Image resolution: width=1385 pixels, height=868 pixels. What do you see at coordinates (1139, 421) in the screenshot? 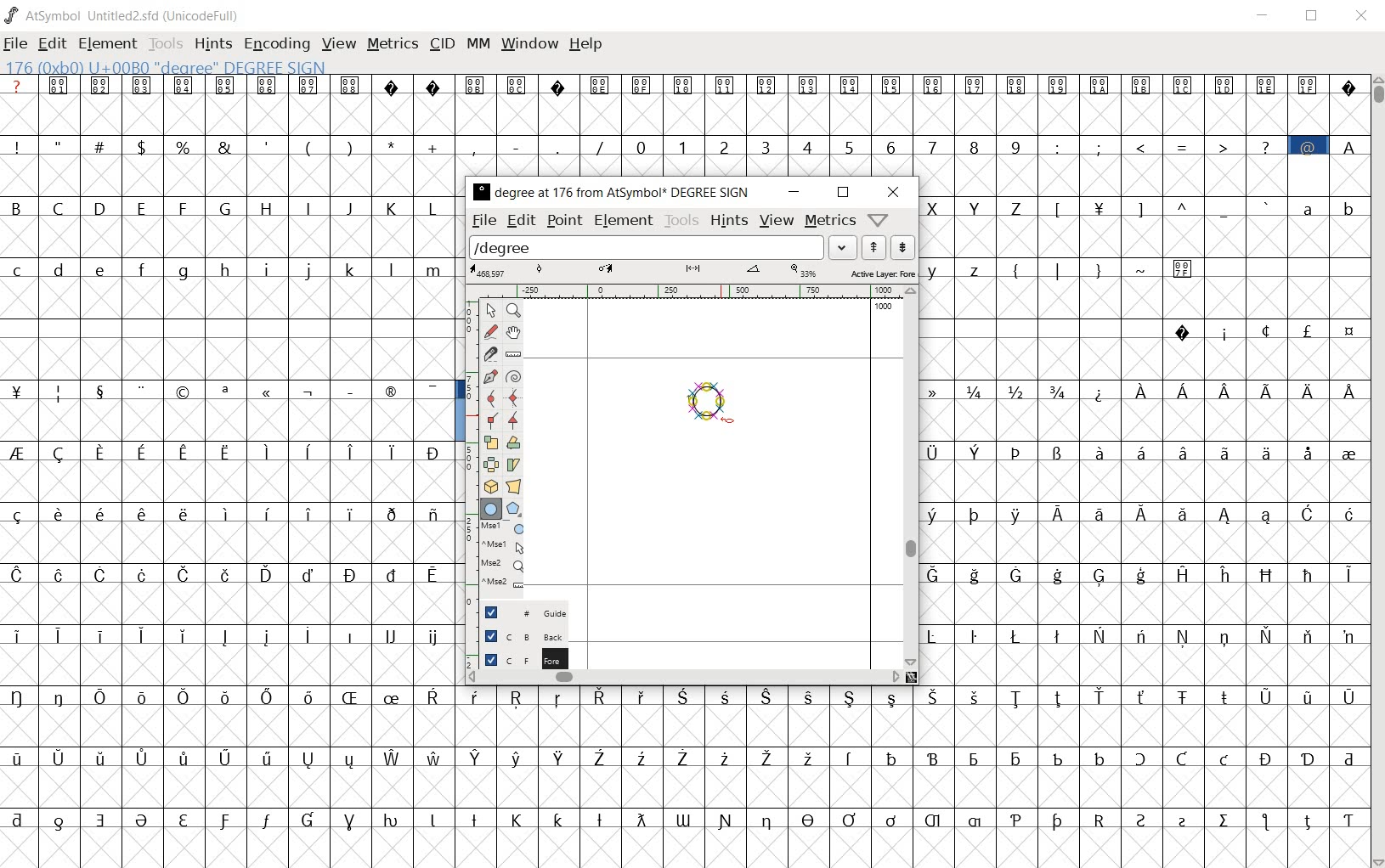
I see `empty glyph slots` at bounding box center [1139, 421].